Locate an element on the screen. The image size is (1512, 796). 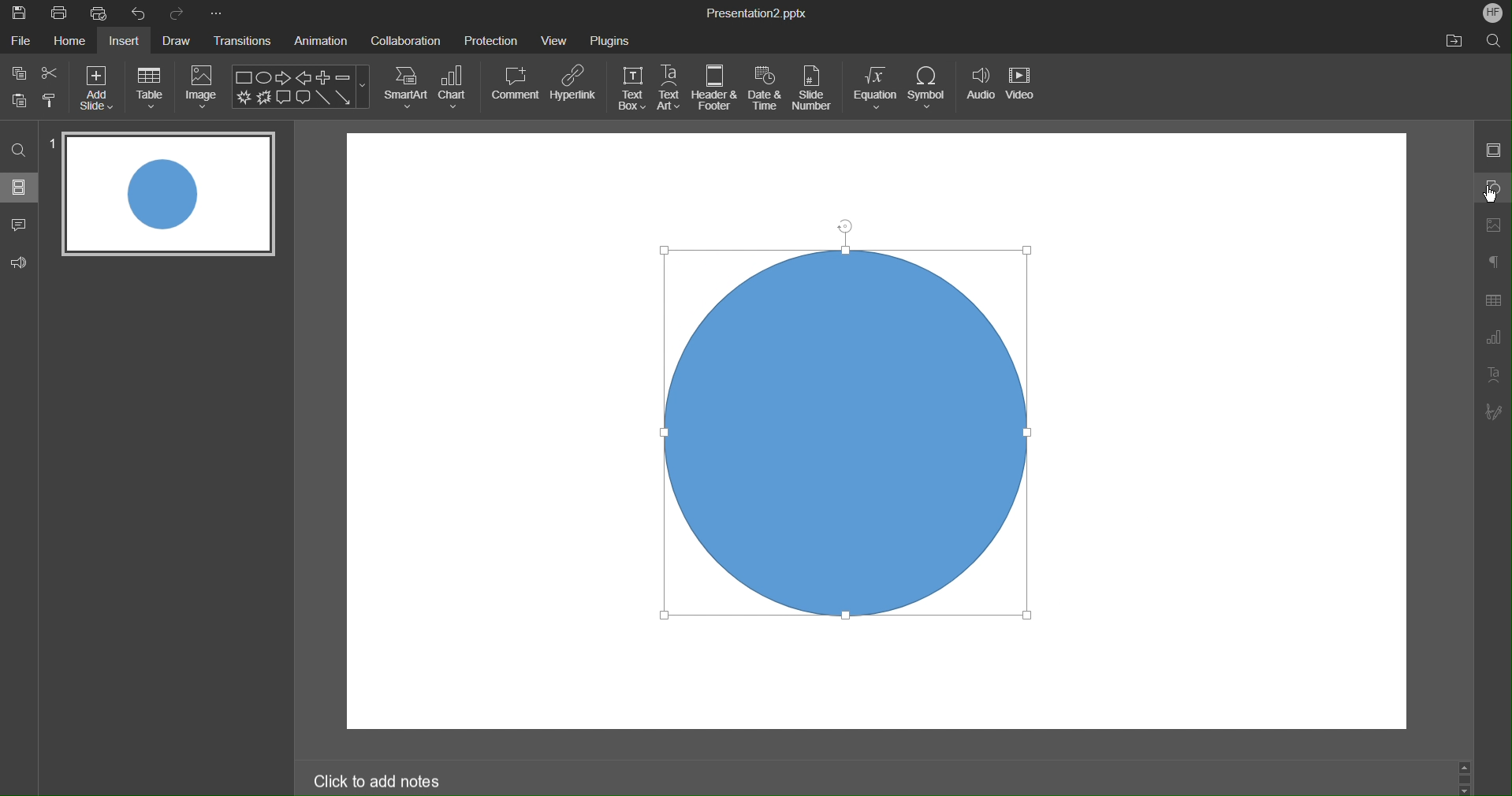
Presentation2 is located at coordinates (755, 15).